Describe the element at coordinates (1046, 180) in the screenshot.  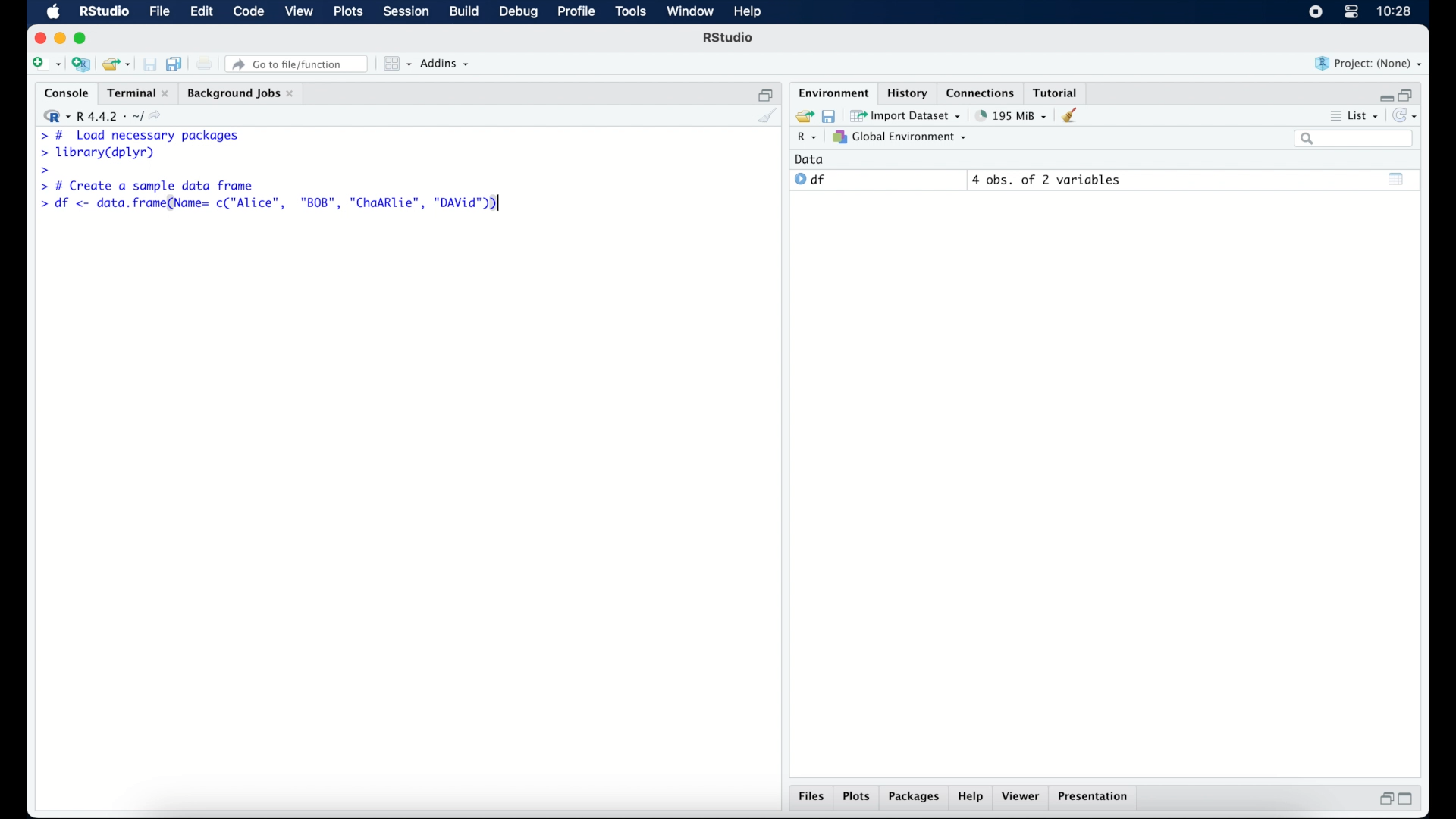
I see `4 obs, of 2 variables` at that location.